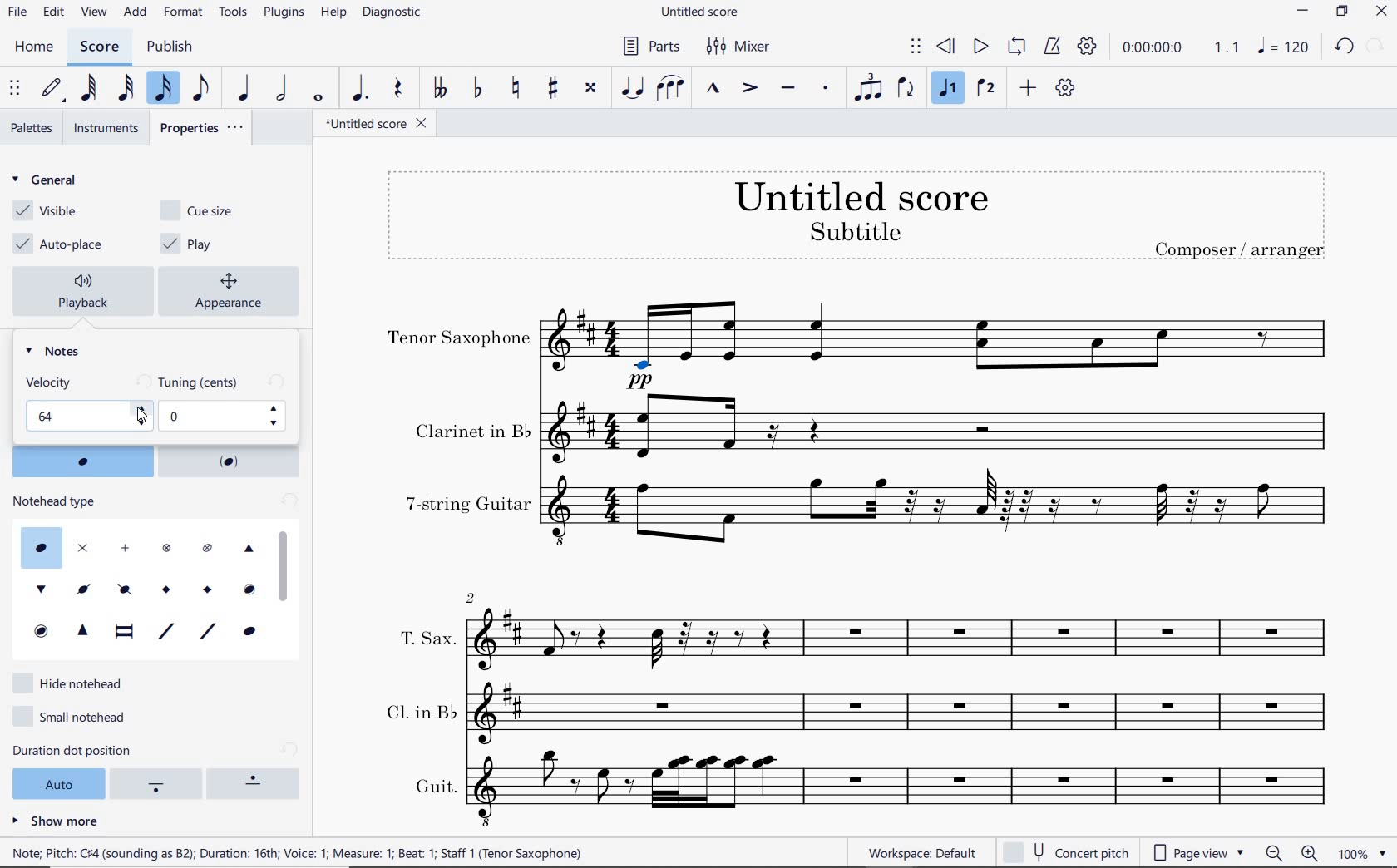 This screenshot has width=1397, height=868. Describe the element at coordinates (277, 423) in the screenshot. I see `decrease` at that location.